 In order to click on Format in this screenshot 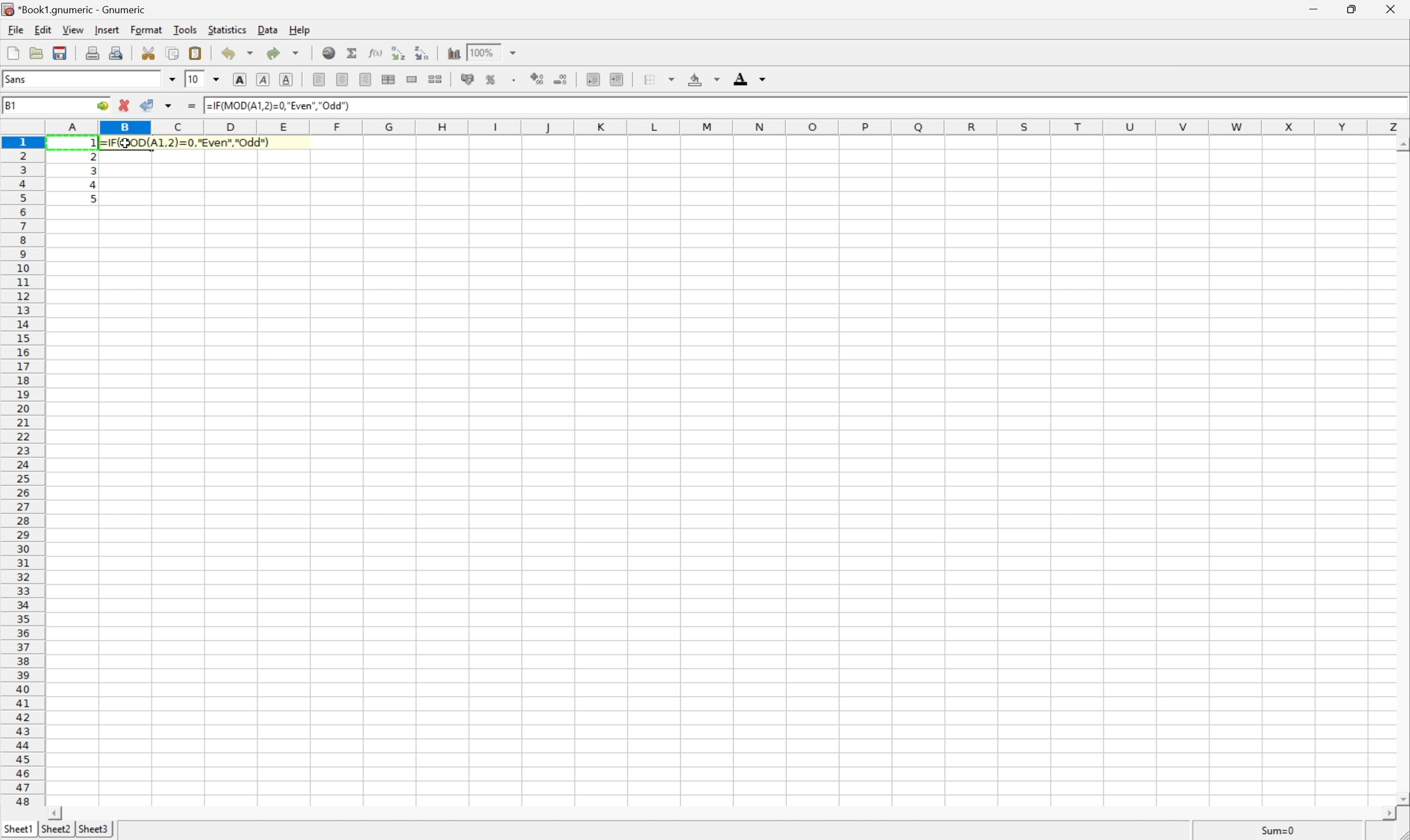, I will do `click(148, 30)`.